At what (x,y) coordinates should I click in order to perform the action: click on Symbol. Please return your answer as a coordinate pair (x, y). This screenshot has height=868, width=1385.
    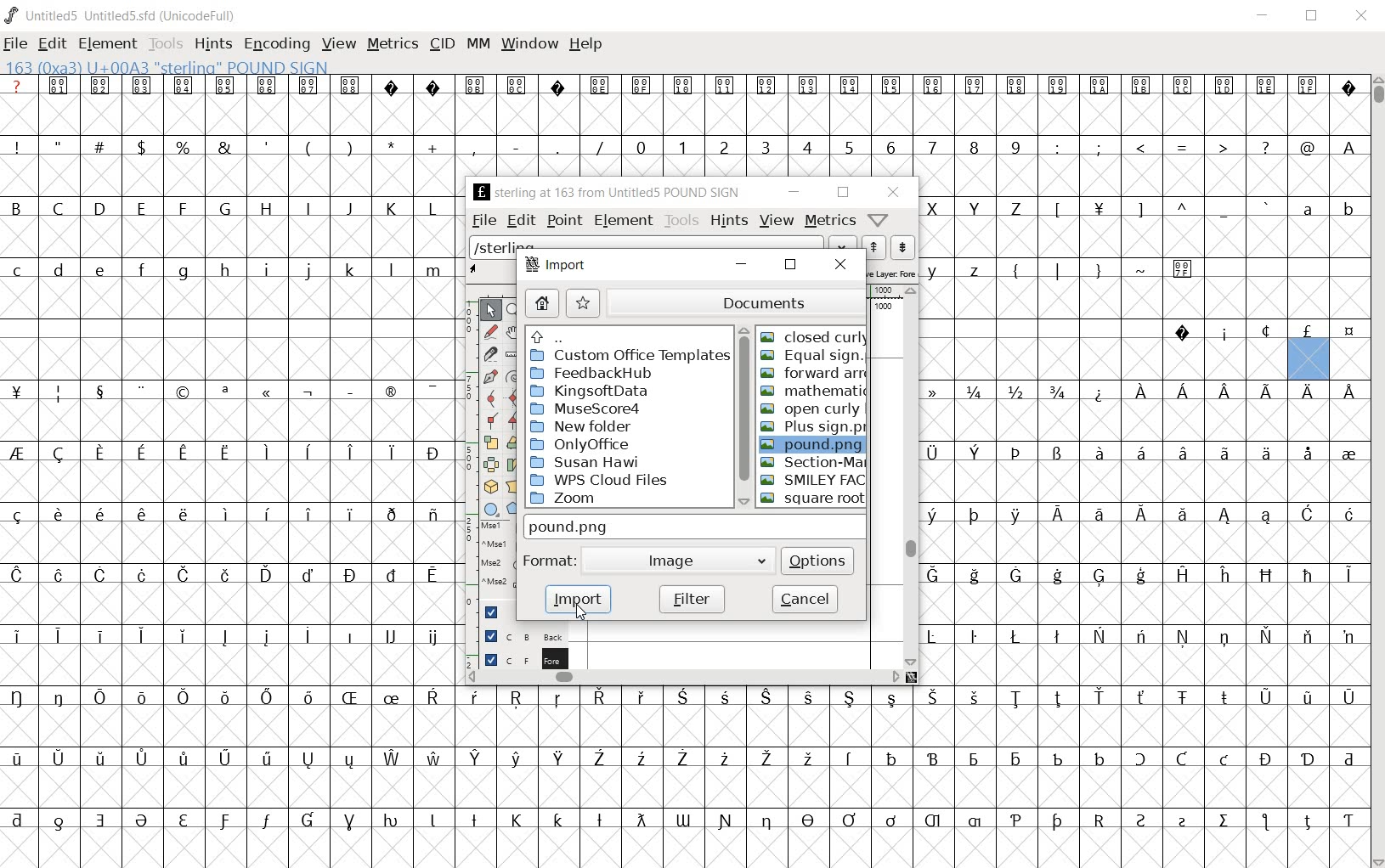
    Looking at the image, I should click on (224, 392).